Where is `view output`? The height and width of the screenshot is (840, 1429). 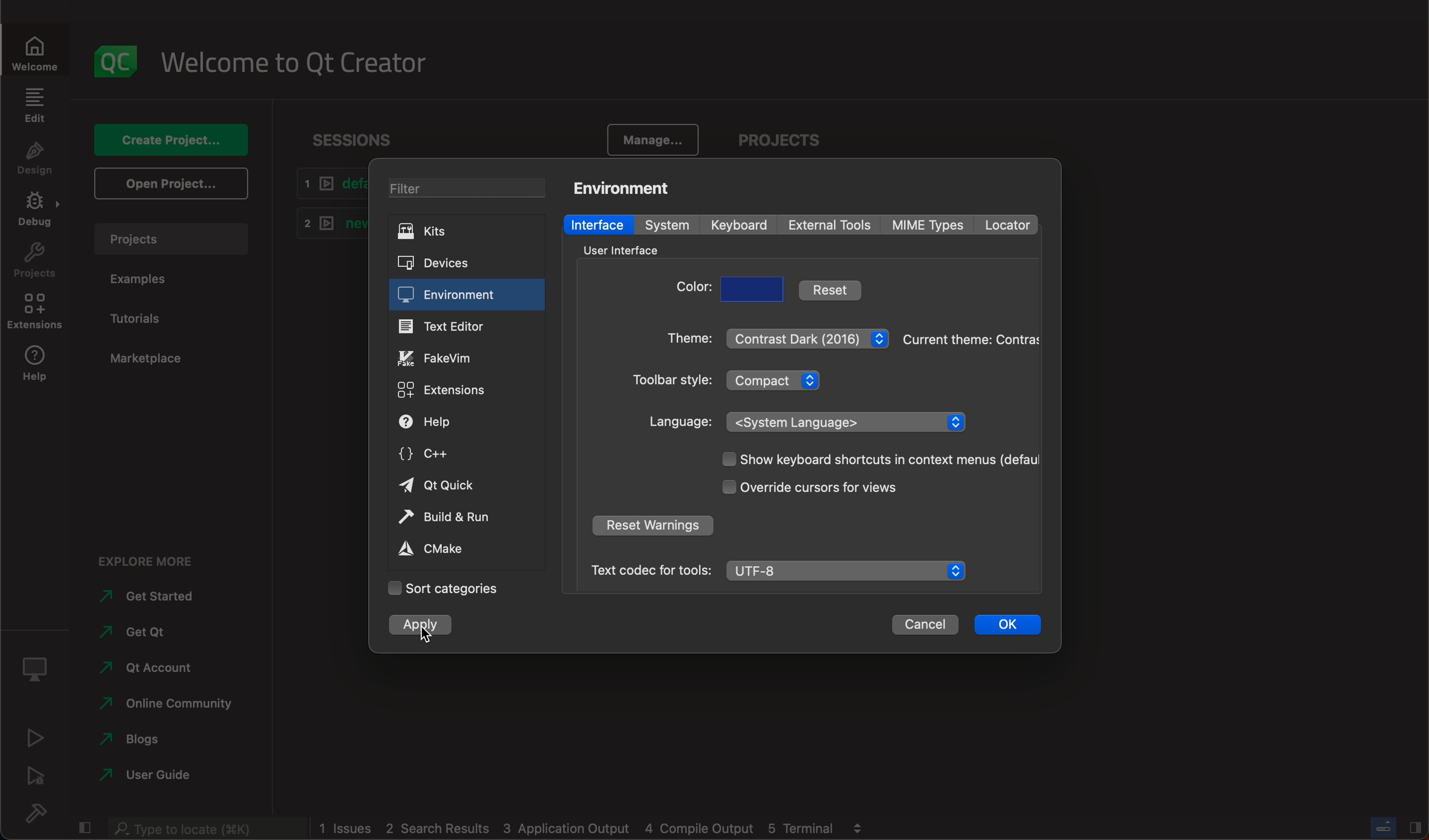
view output is located at coordinates (861, 824).